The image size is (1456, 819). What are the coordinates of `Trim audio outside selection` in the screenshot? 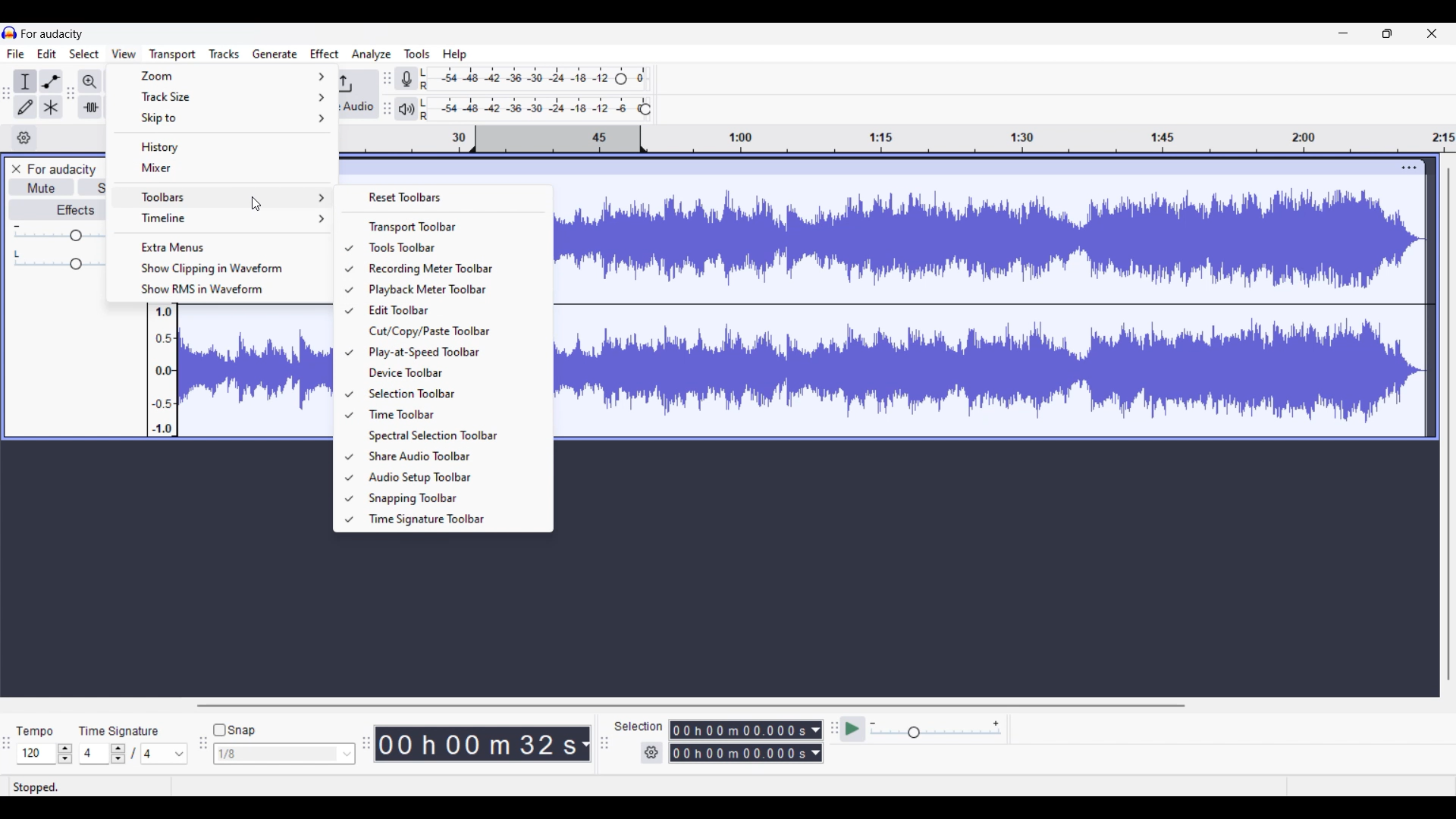 It's located at (90, 107).